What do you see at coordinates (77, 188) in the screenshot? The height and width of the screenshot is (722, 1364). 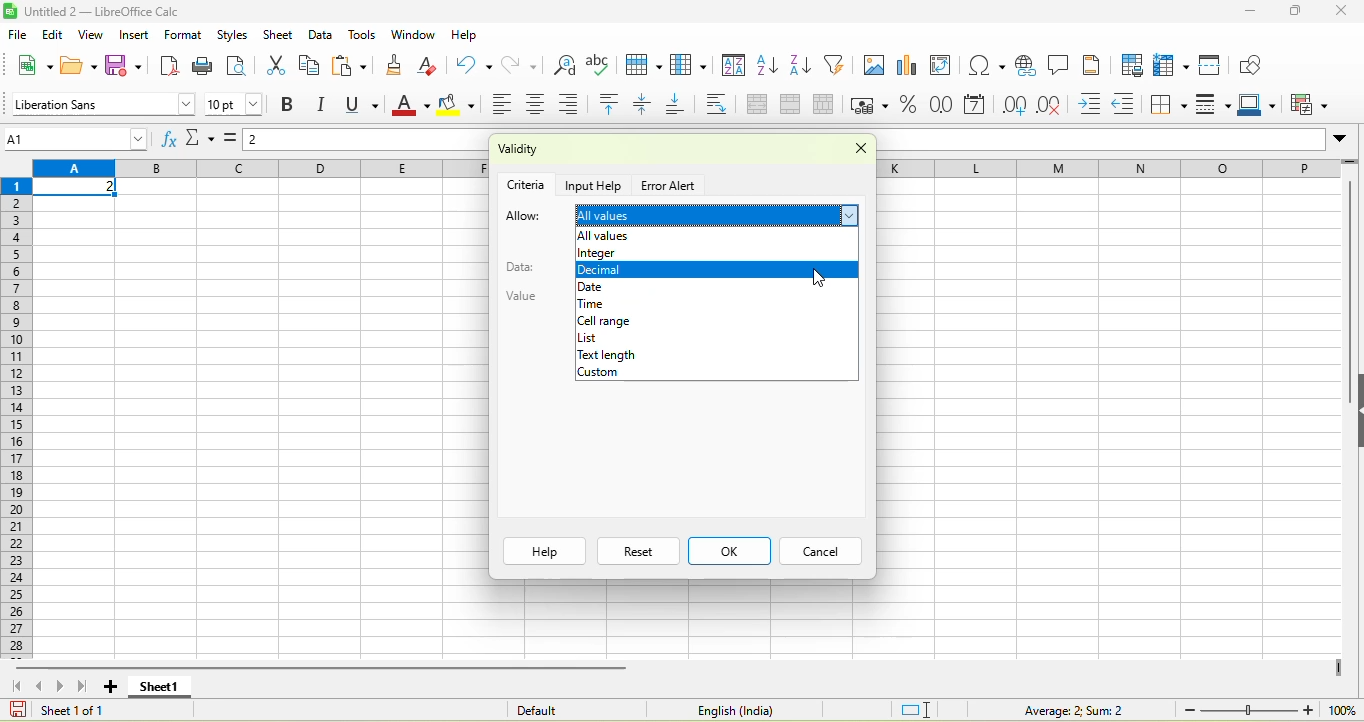 I see `selected cell` at bounding box center [77, 188].